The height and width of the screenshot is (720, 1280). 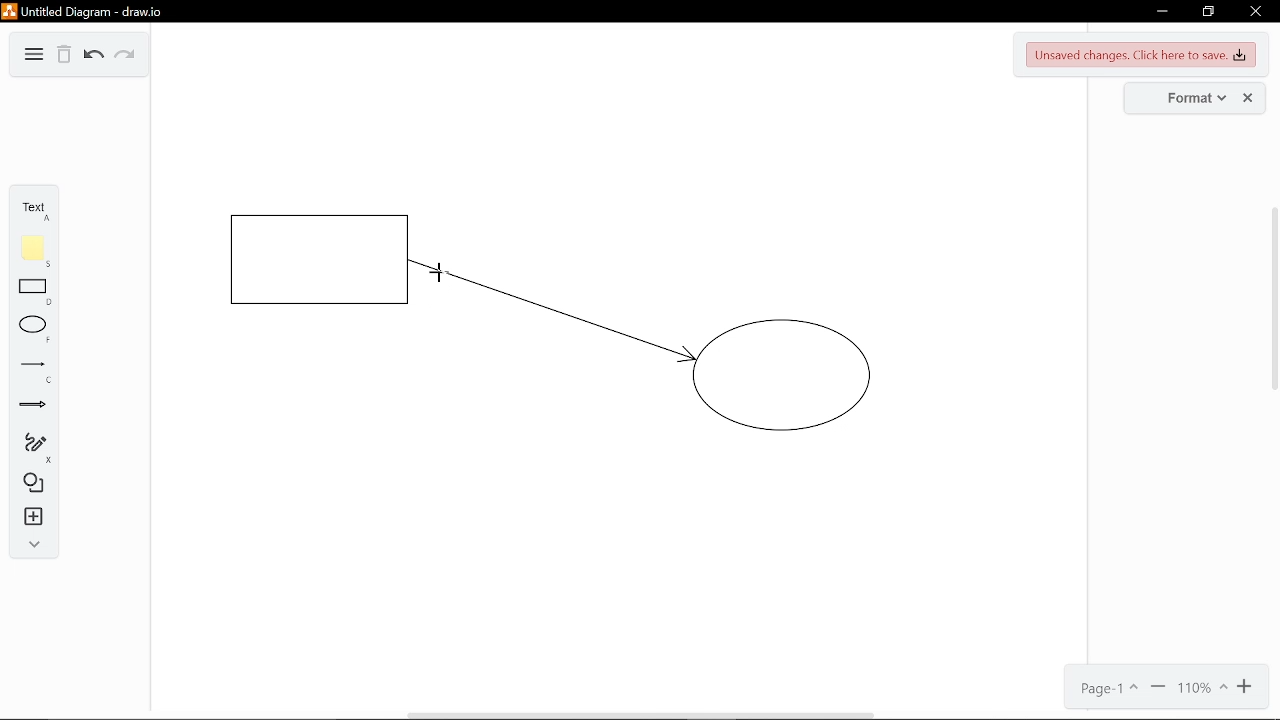 What do you see at coordinates (127, 58) in the screenshot?
I see `Redo` at bounding box center [127, 58].